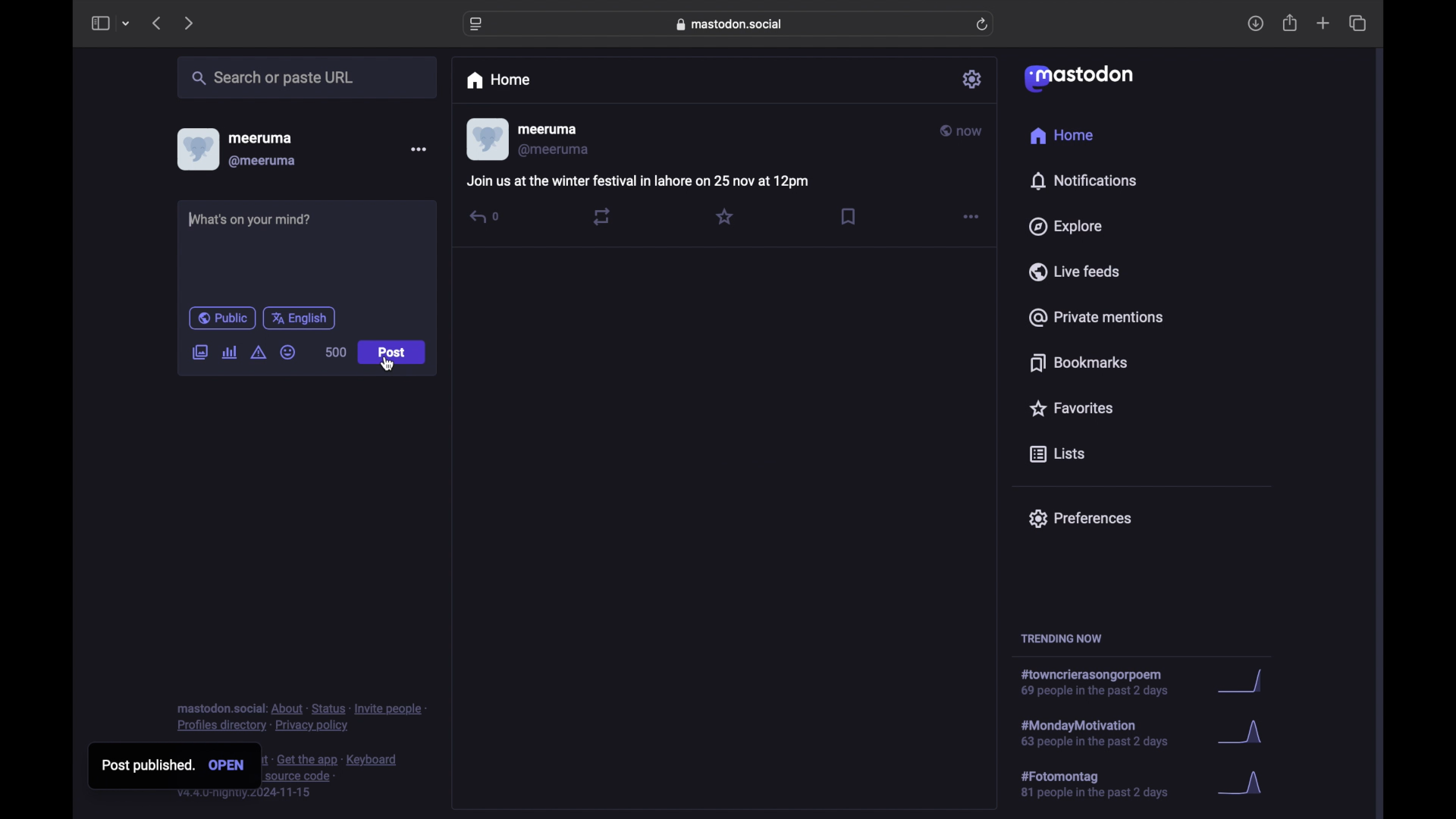  What do you see at coordinates (1061, 639) in the screenshot?
I see `trending now` at bounding box center [1061, 639].